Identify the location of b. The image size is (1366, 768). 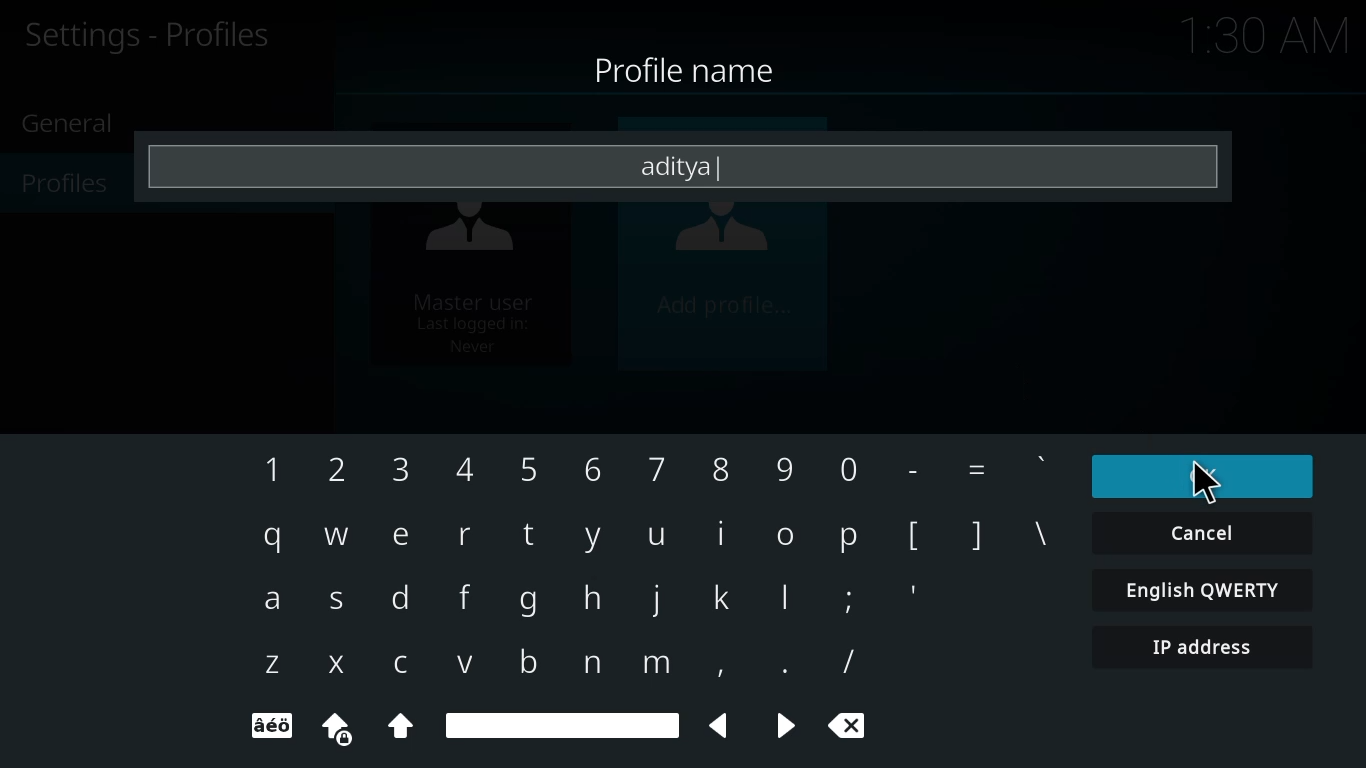
(528, 668).